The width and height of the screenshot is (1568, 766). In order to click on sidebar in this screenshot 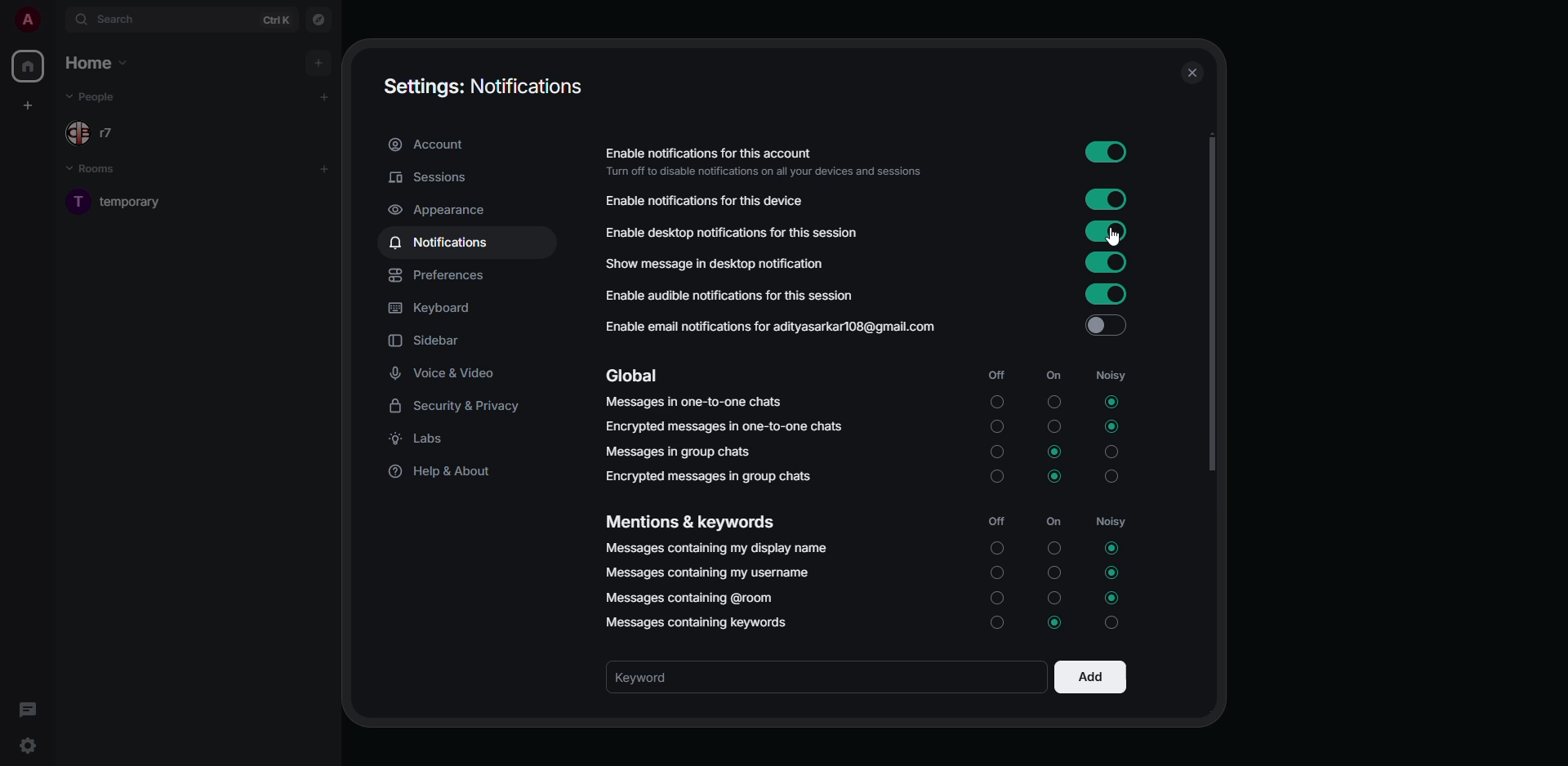, I will do `click(427, 340)`.